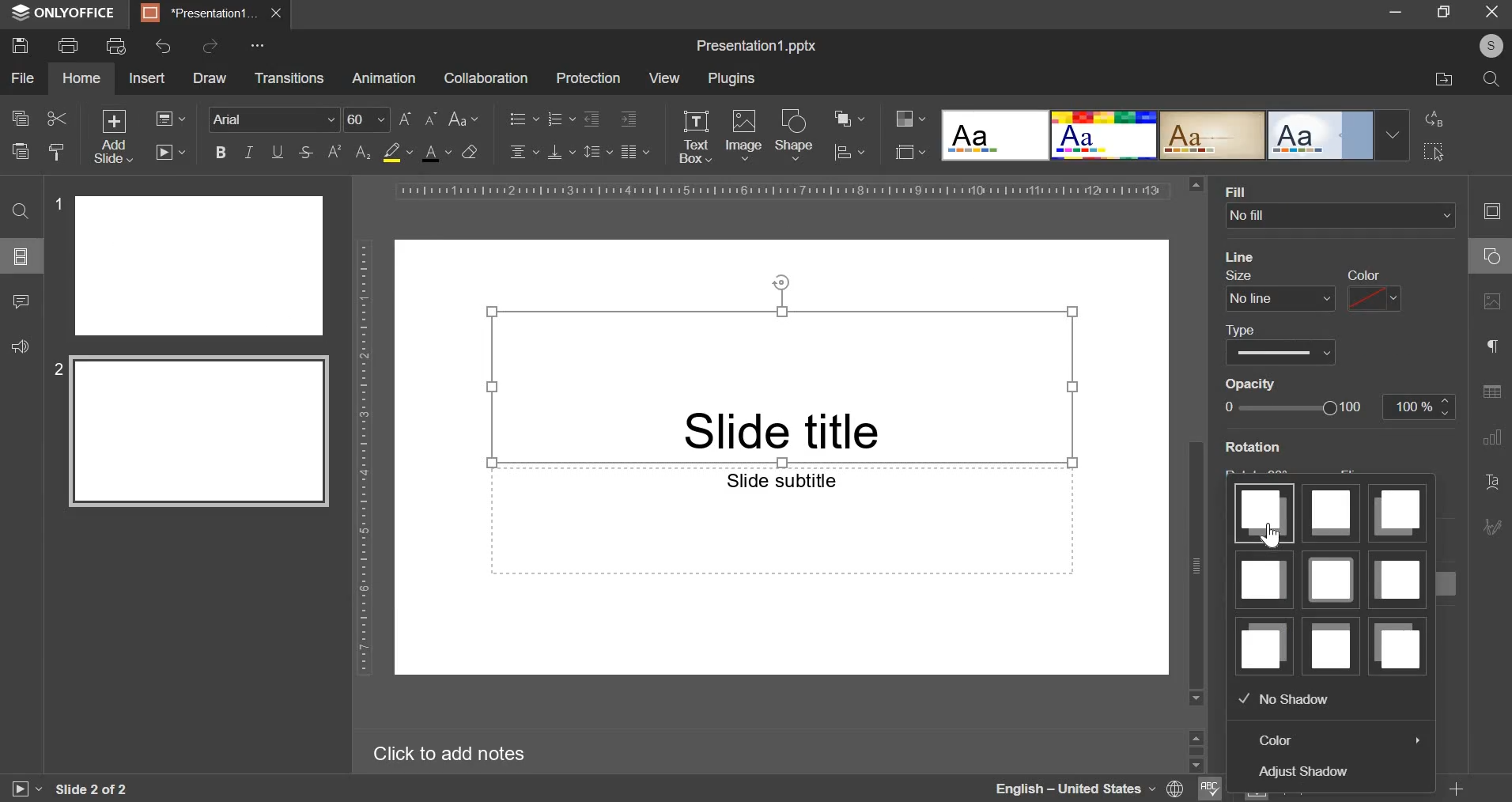  I want to click on strikethrough, so click(304, 153).